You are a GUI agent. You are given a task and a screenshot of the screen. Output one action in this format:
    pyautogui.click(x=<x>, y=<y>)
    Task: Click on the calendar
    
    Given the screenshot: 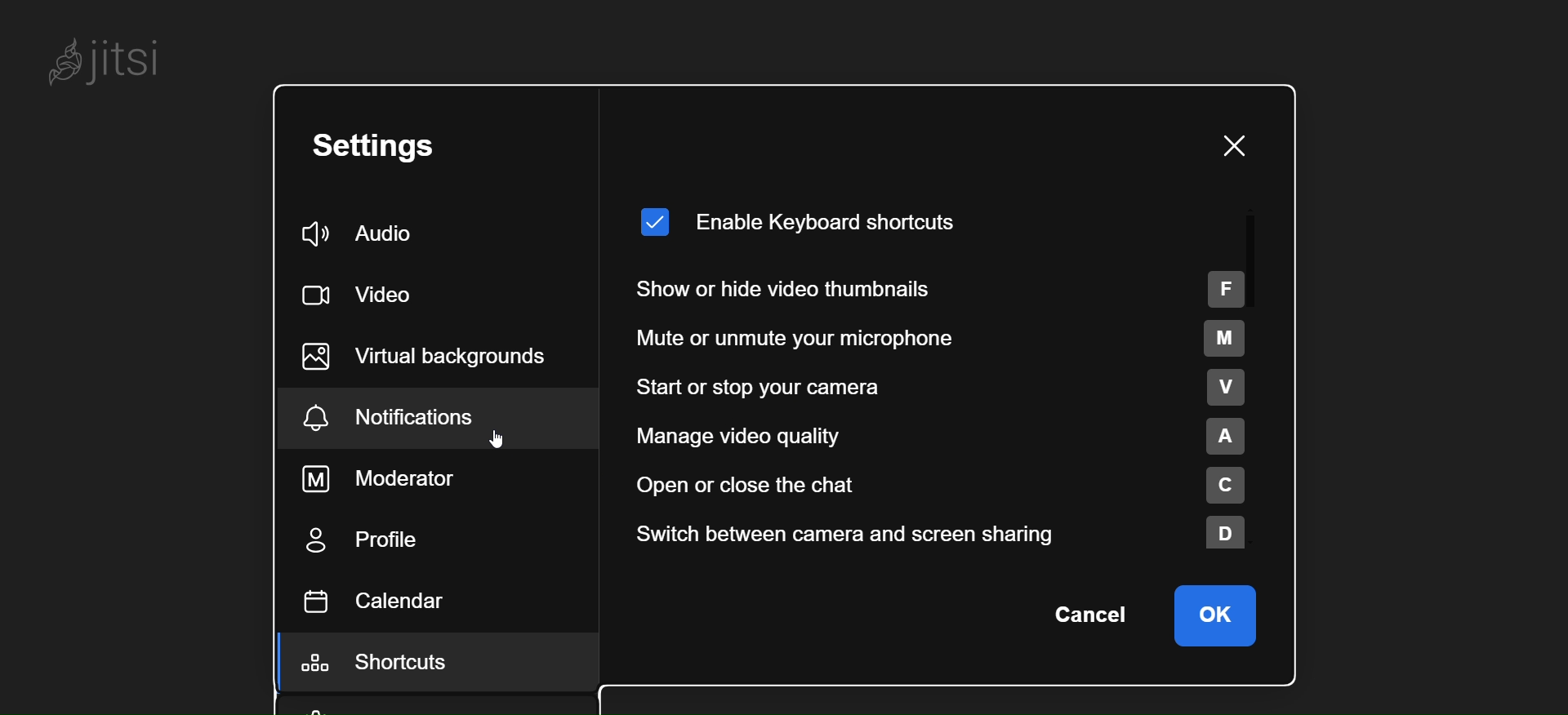 What is the action you would take?
    pyautogui.click(x=379, y=597)
    